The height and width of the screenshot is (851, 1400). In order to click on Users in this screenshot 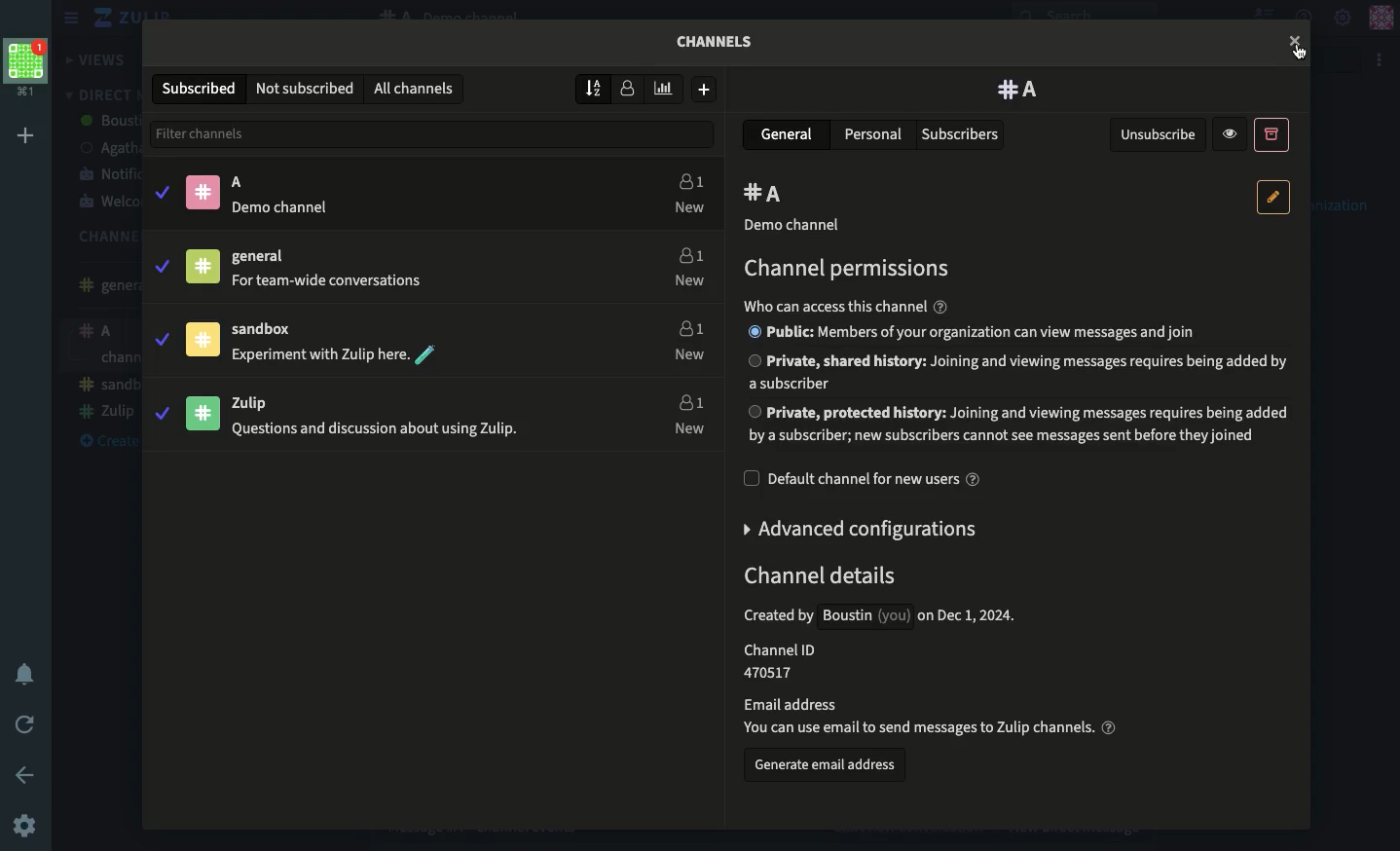, I will do `click(684, 412)`.